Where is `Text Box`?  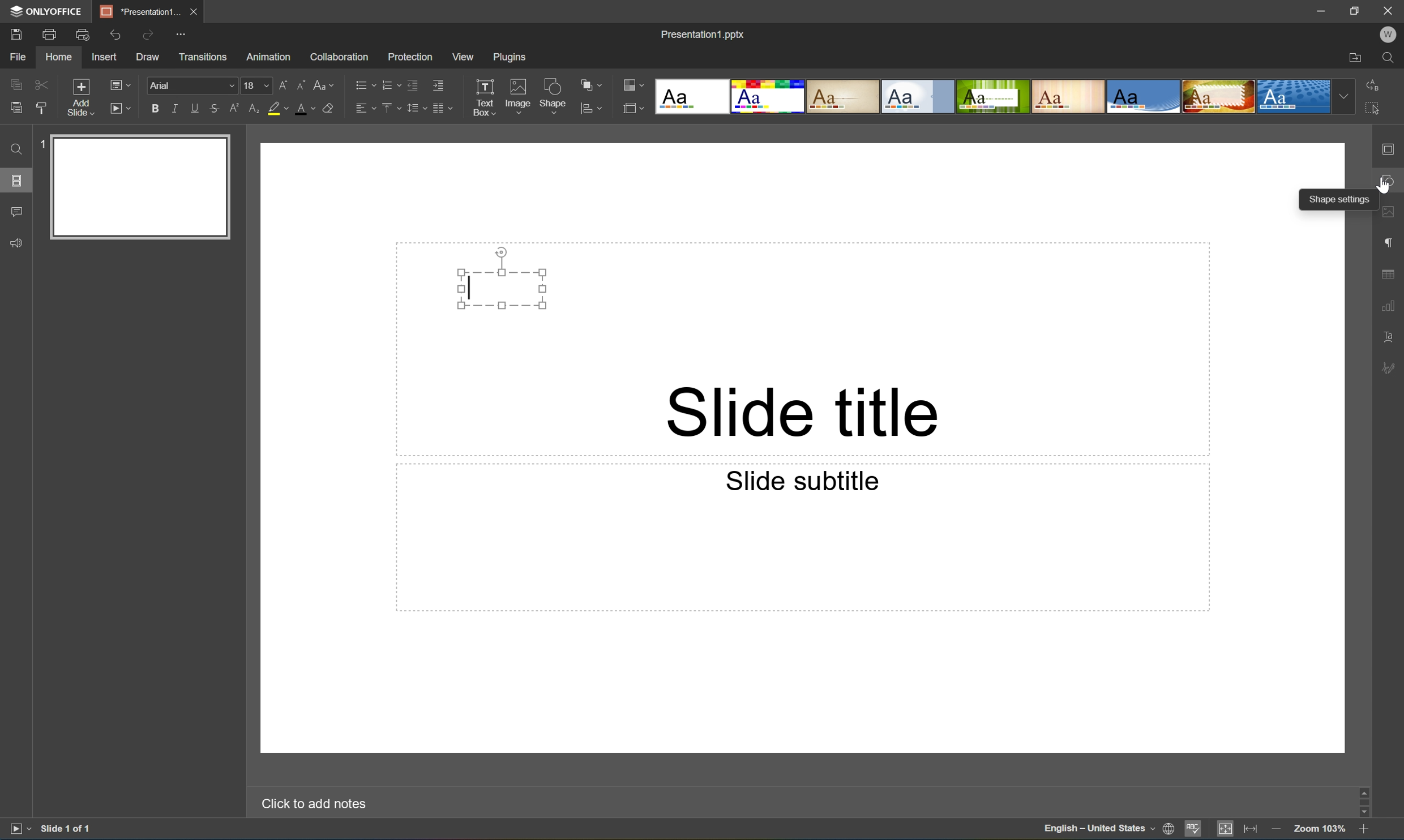
Text Box is located at coordinates (502, 289).